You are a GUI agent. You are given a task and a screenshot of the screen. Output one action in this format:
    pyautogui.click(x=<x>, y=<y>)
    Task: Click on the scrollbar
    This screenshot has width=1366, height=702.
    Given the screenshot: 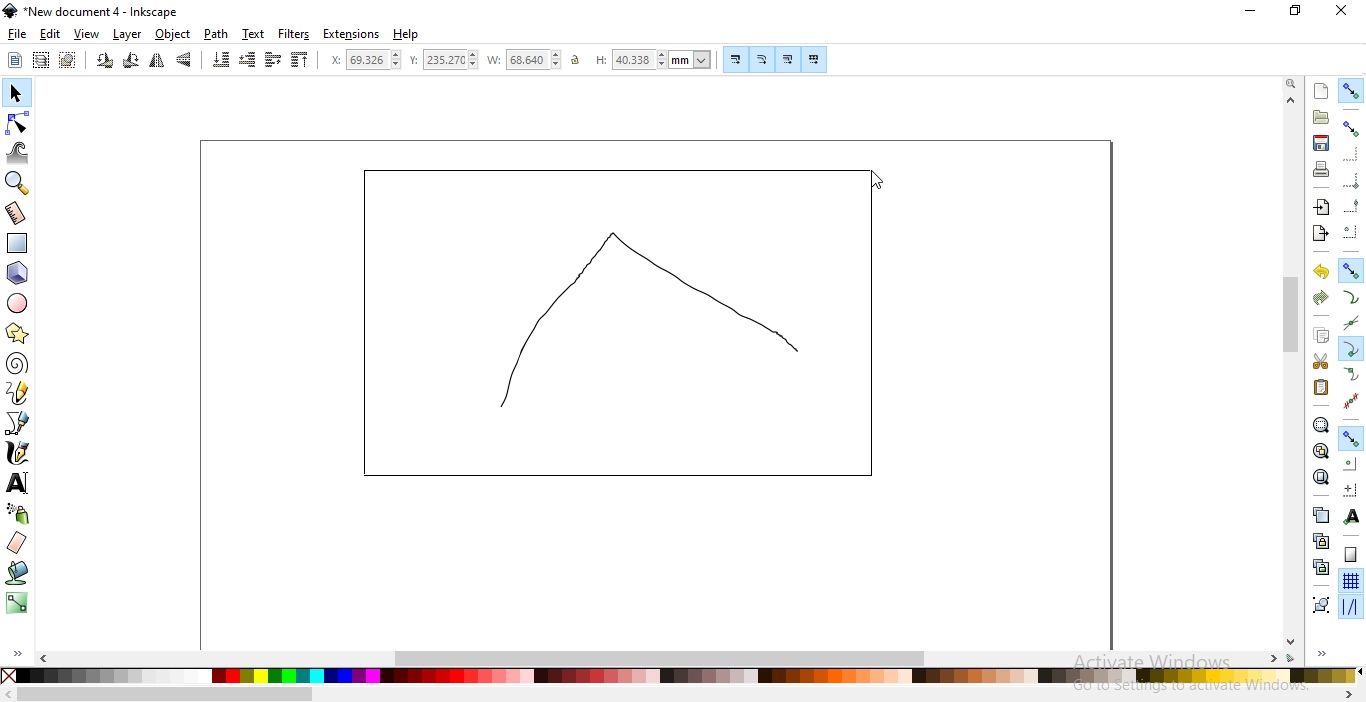 What is the action you would take?
    pyautogui.click(x=663, y=656)
    